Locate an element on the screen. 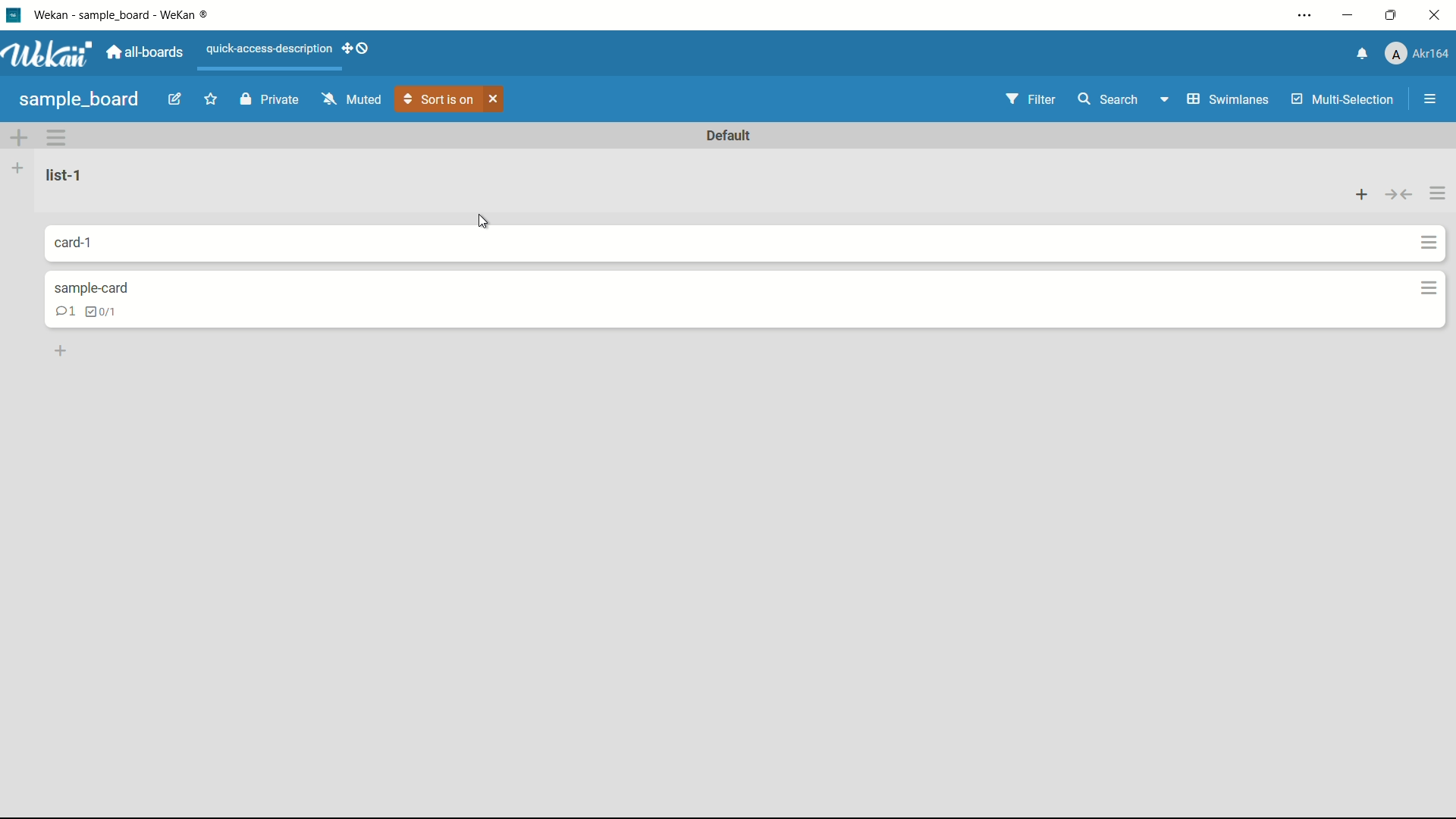  swimlanes is located at coordinates (1211, 99).